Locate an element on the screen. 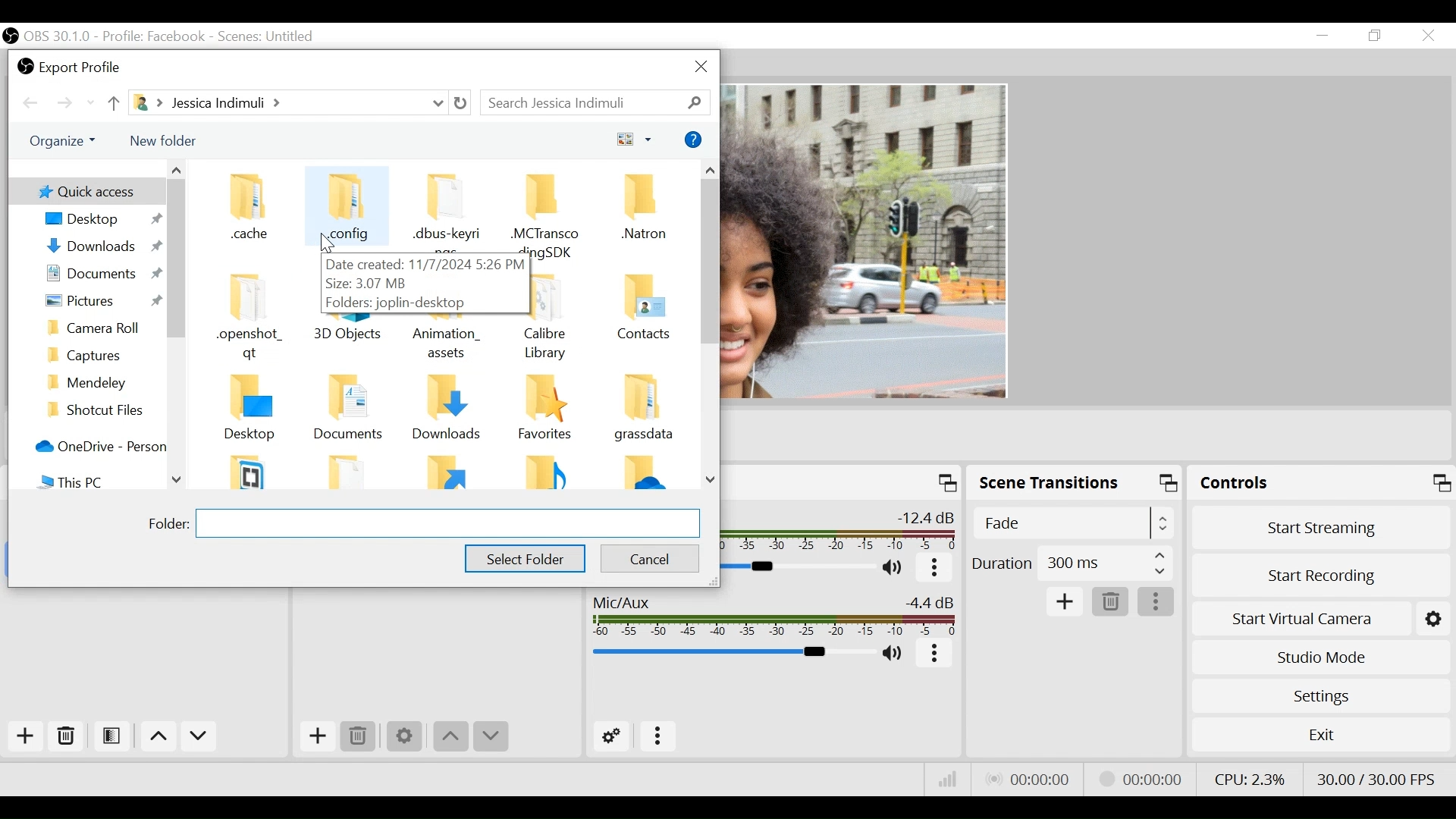 Image resolution: width=1456 pixels, height=819 pixels. Profile is located at coordinates (155, 36).